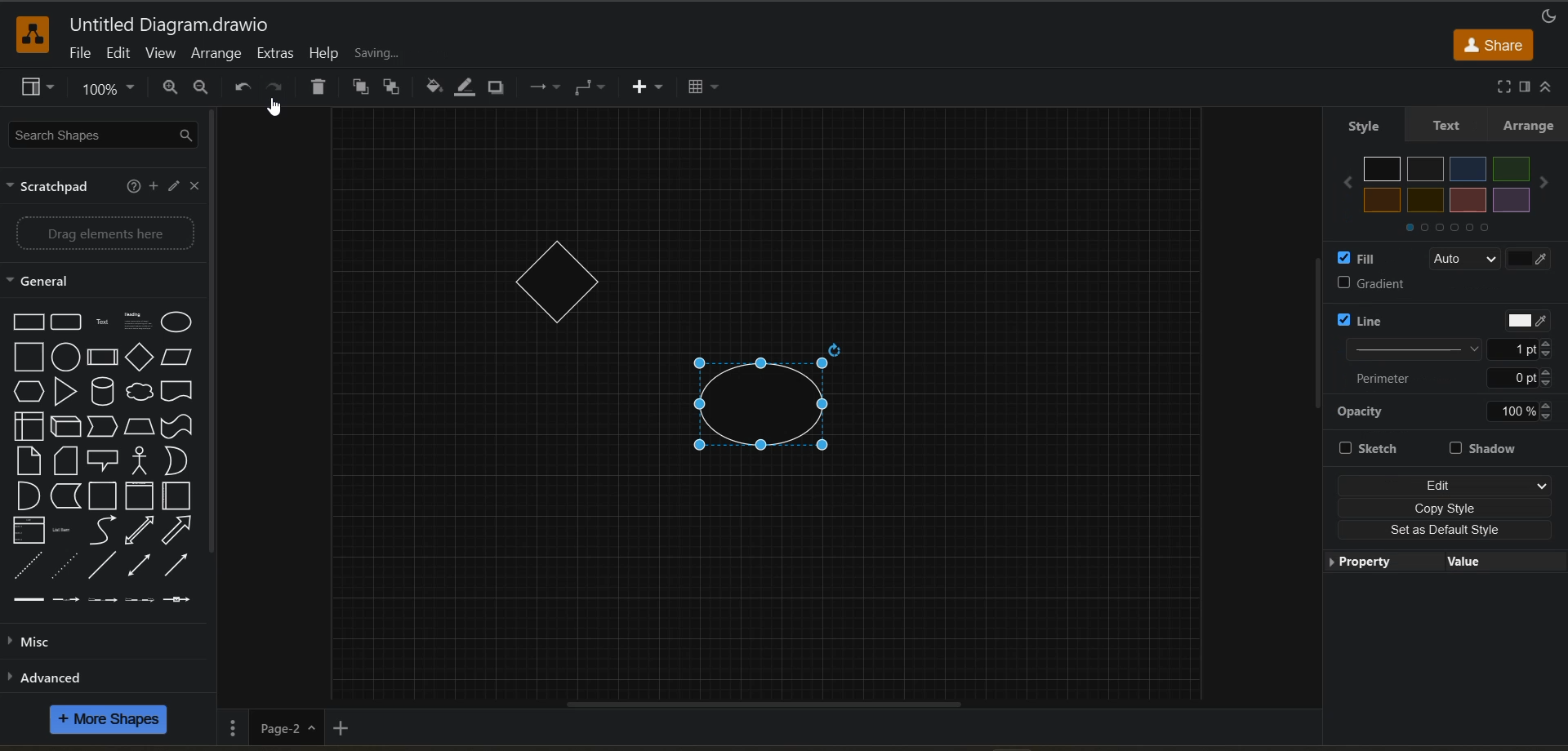 The height and width of the screenshot is (751, 1568). Describe the element at coordinates (1449, 530) in the screenshot. I see `set as default style` at that location.